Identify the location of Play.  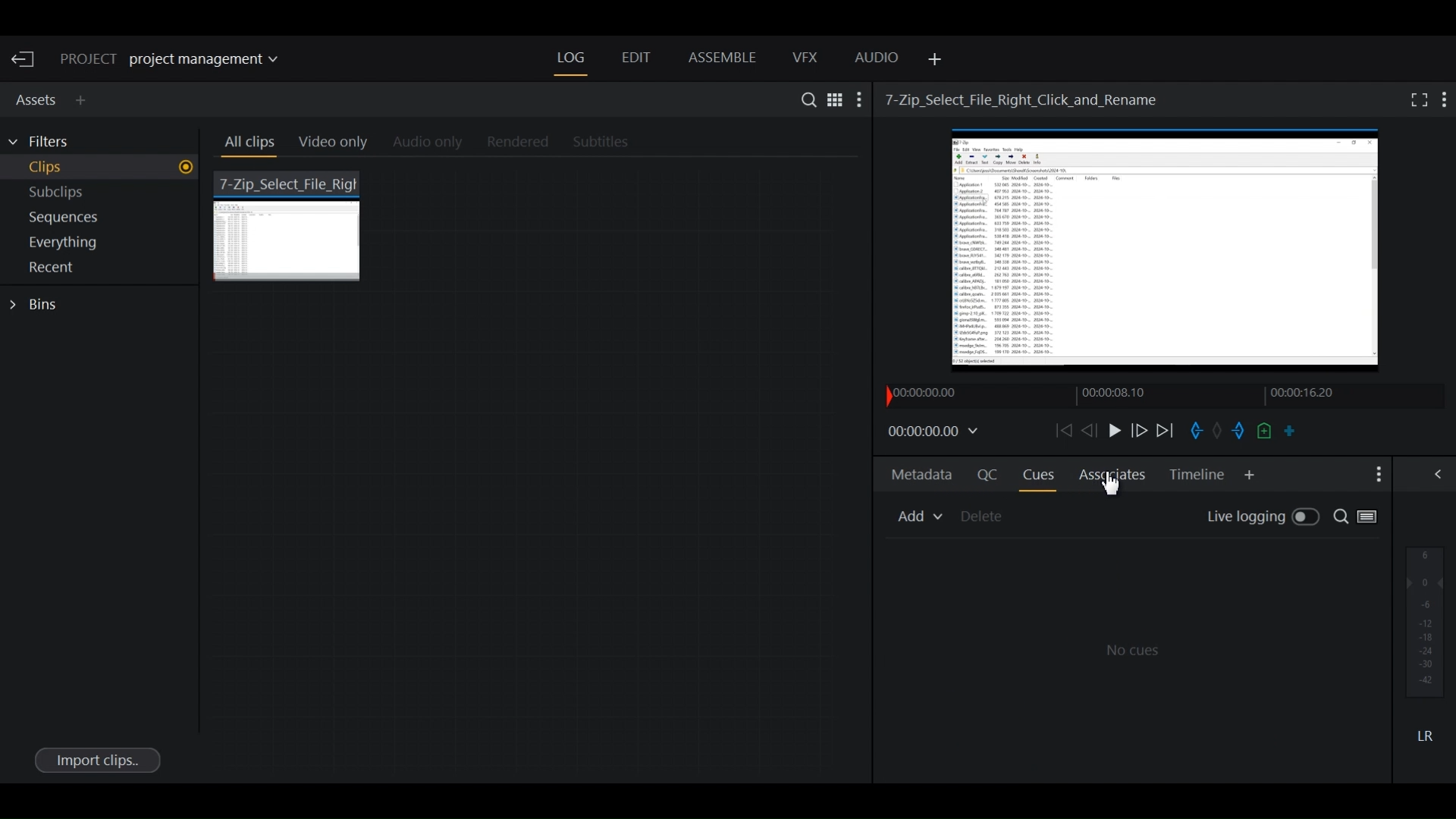
(1113, 430).